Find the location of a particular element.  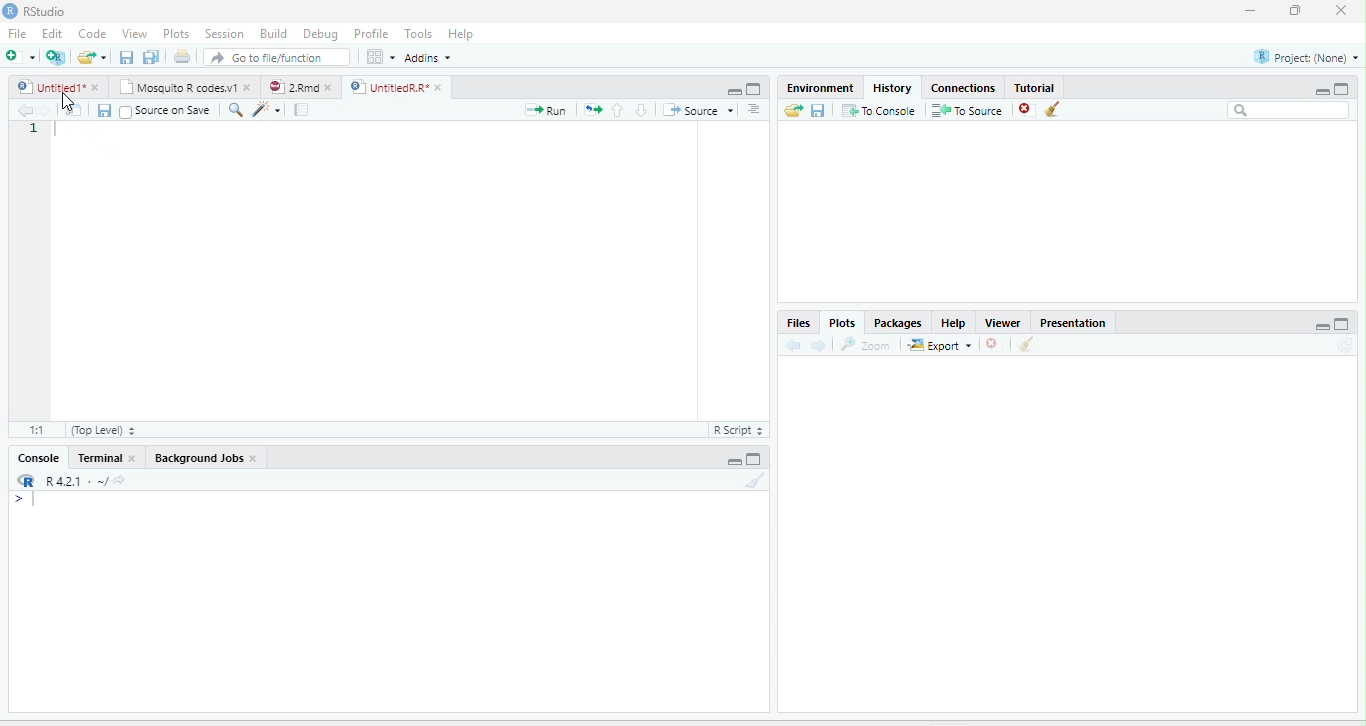

2.Rmd is located at coordinates (291, 87).